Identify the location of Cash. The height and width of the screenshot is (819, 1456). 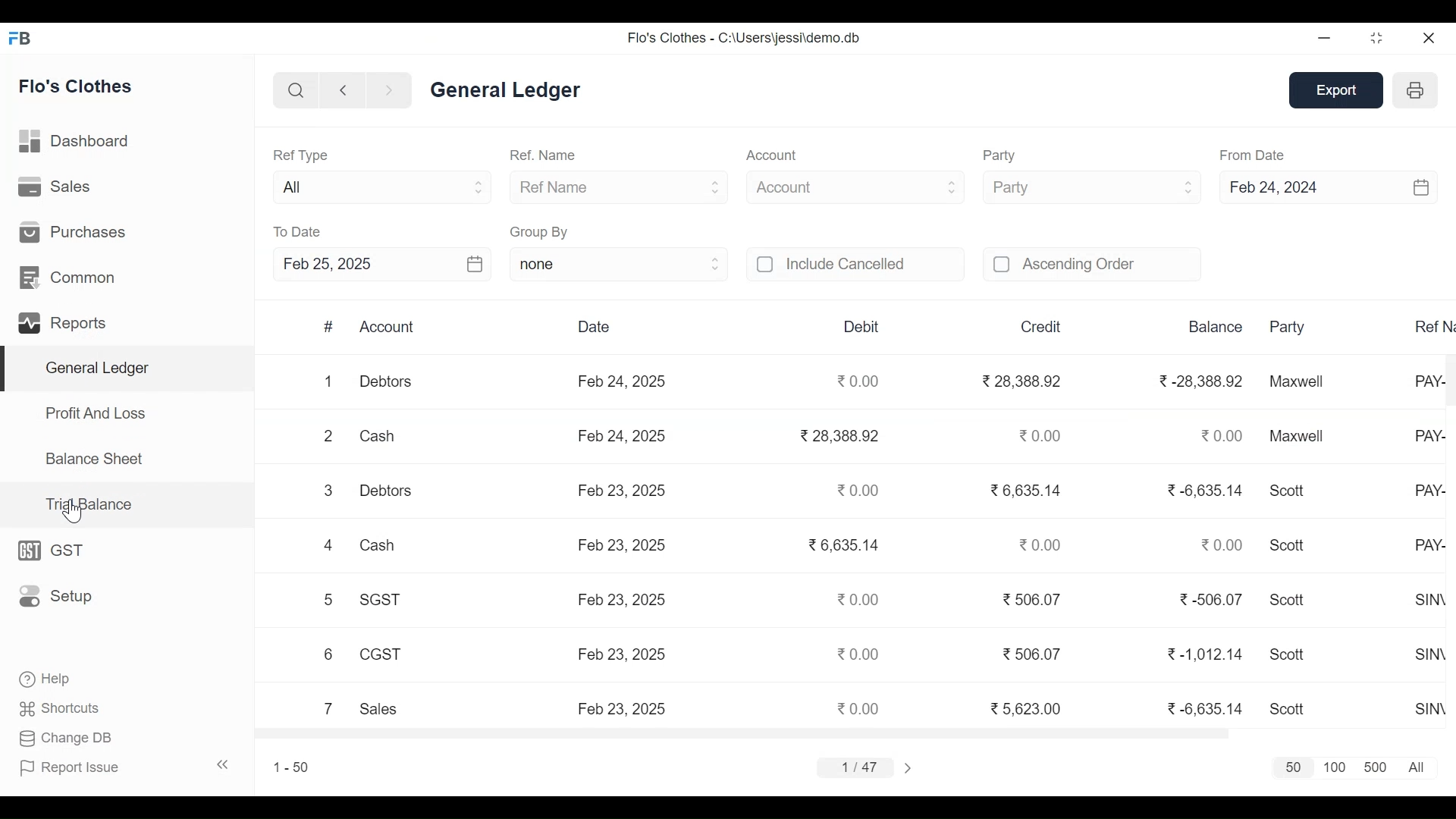
(380, 436).